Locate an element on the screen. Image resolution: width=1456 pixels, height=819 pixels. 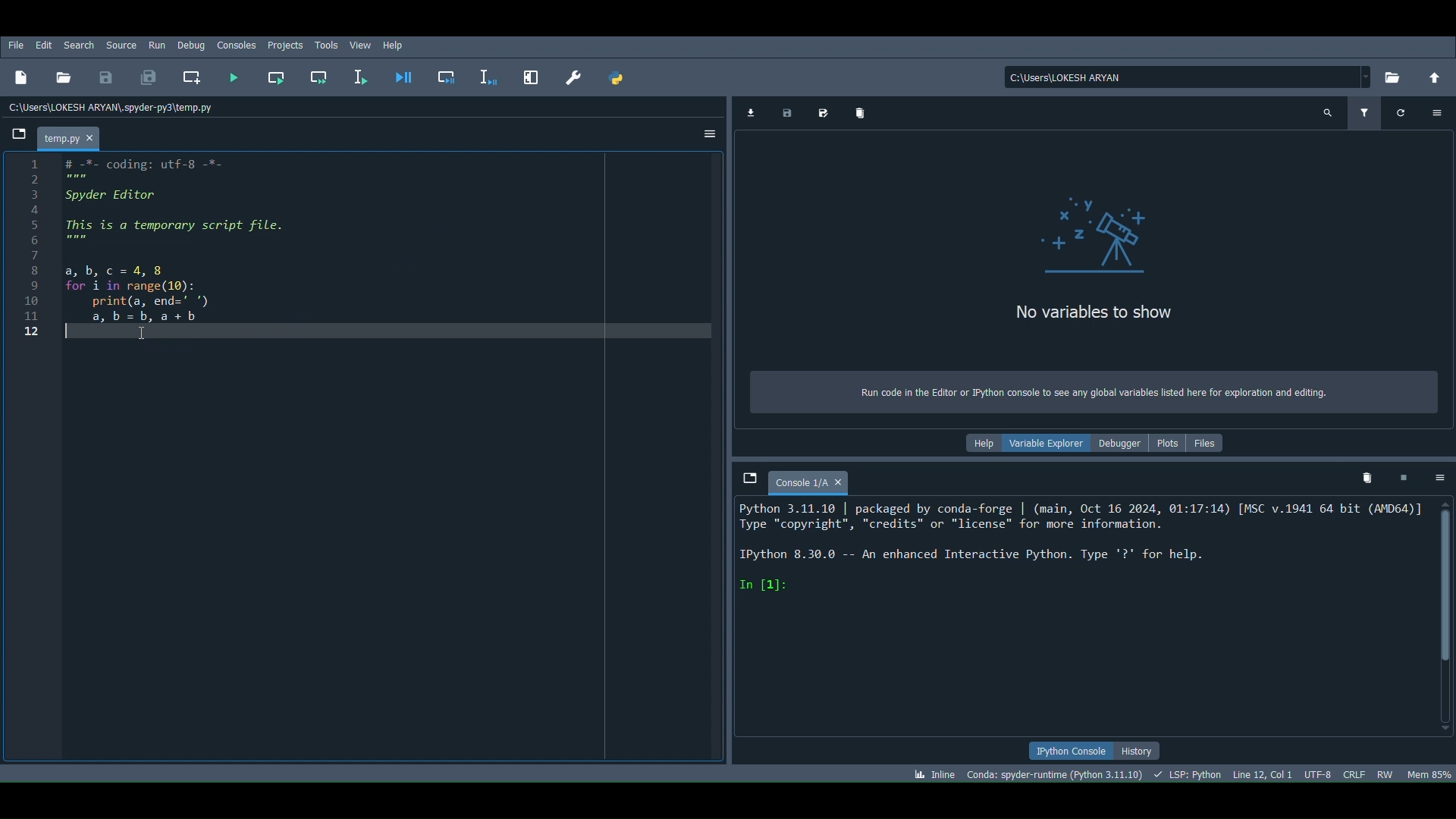
File name is located at coordinates (67, 136).